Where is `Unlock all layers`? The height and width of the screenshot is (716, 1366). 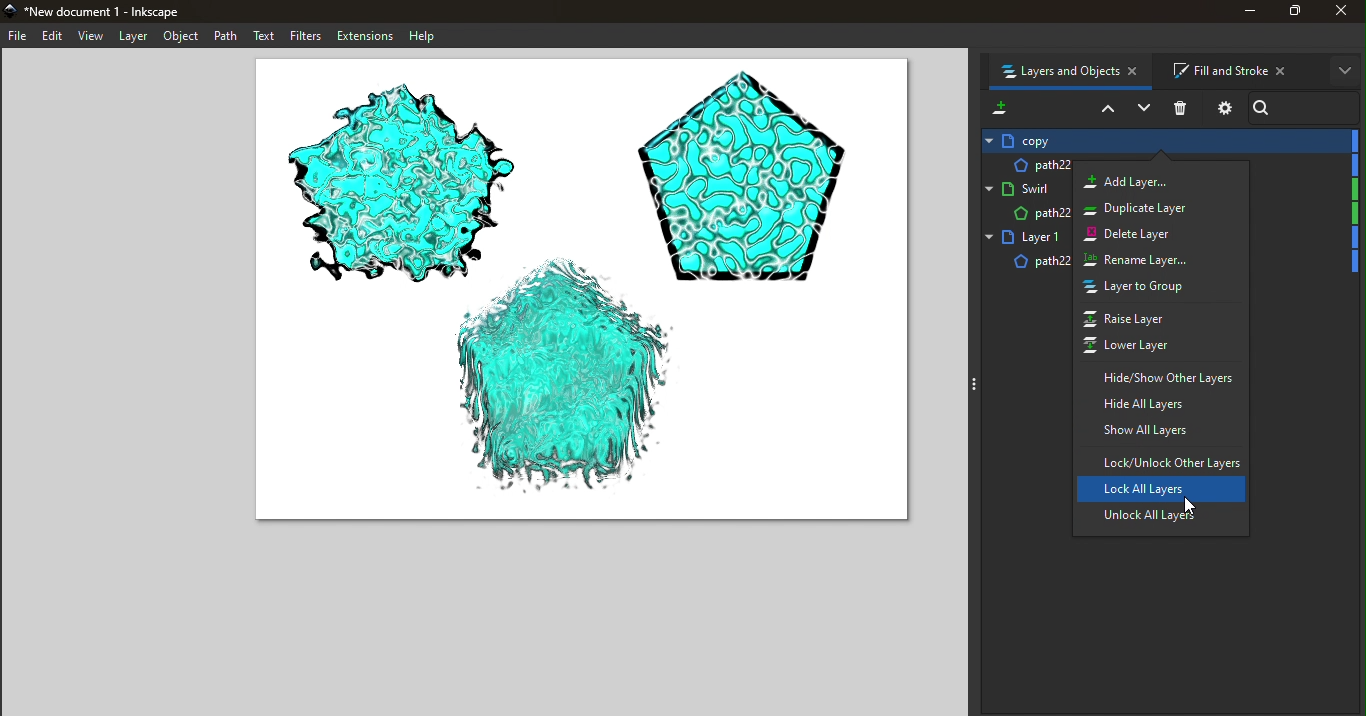
Unlock all layers is located at coordinates (1158, 519).